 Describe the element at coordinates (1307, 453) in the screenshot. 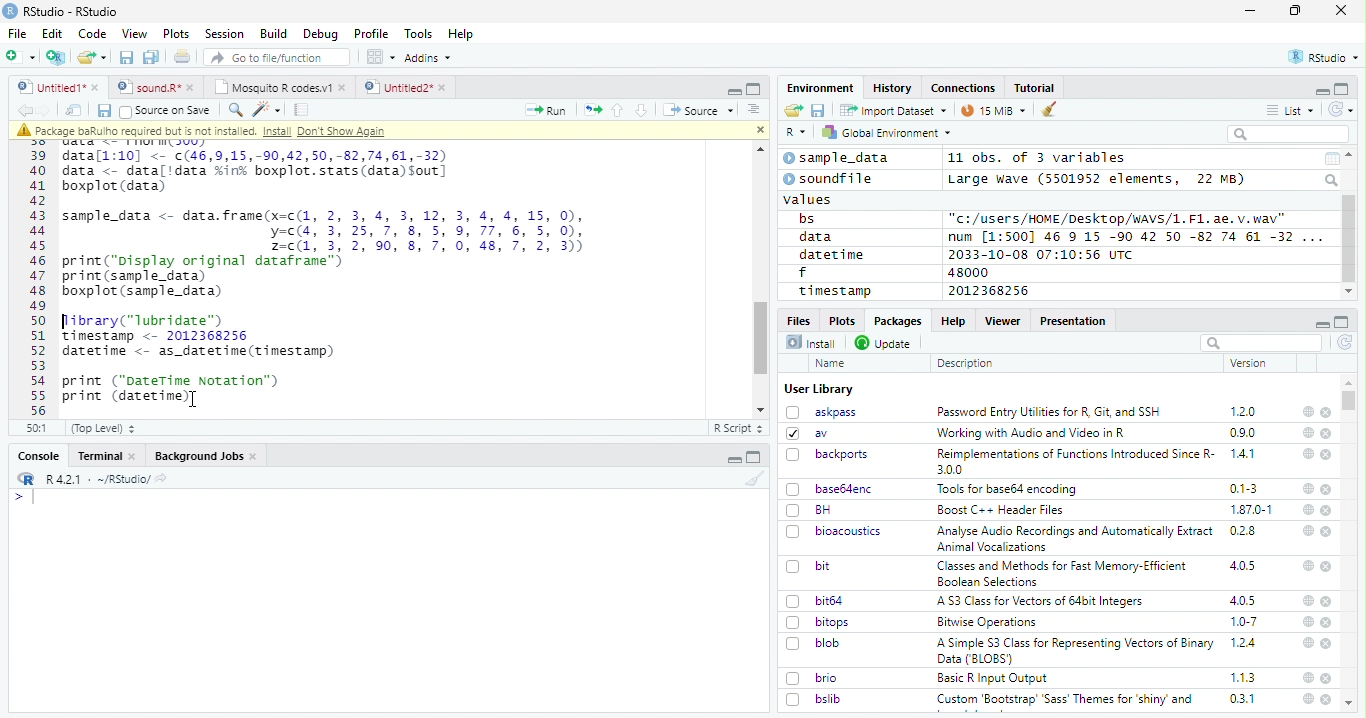

I see `help` at that location.